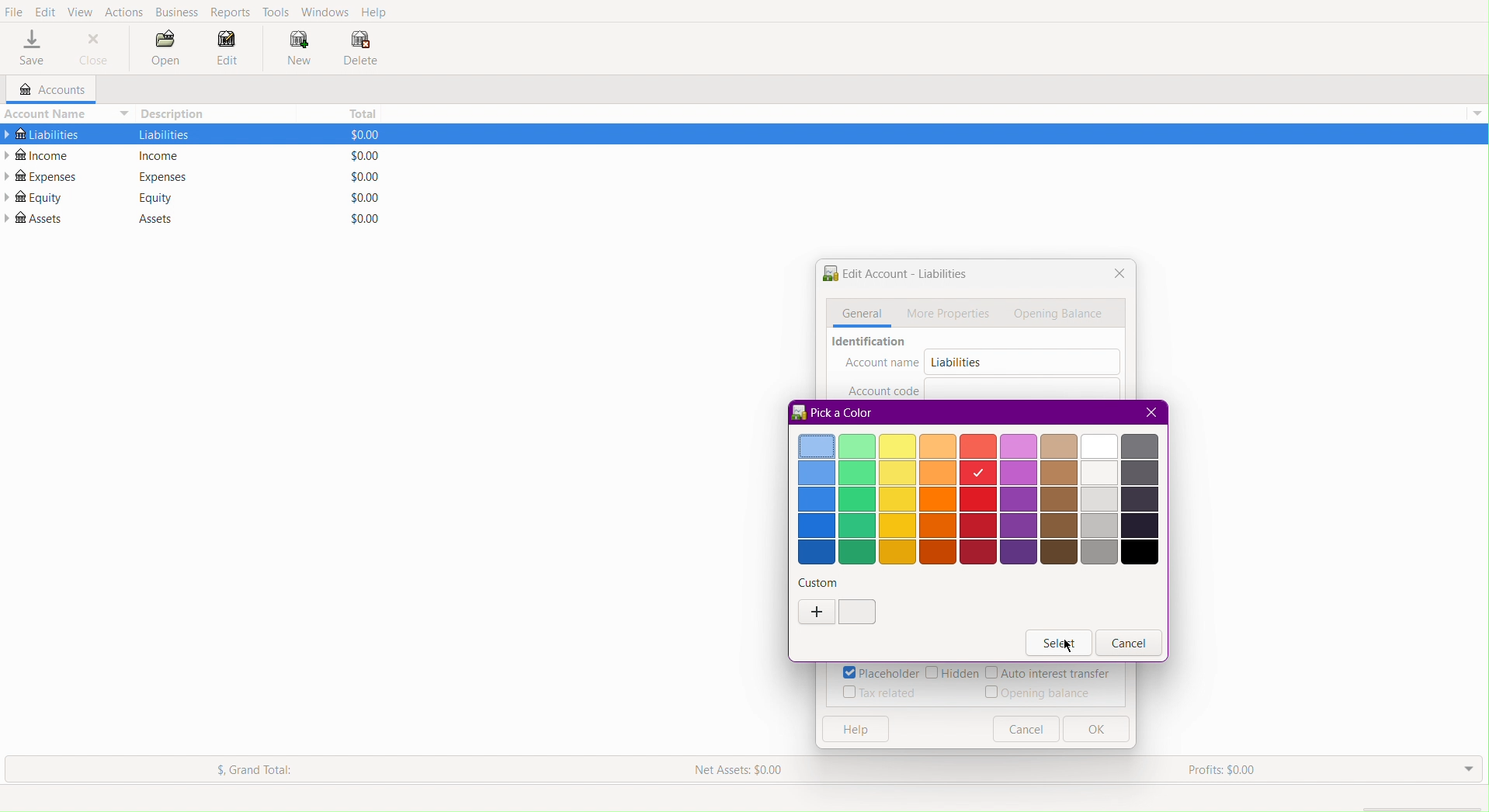  I want to click on Grand Total, so click(256, 769).